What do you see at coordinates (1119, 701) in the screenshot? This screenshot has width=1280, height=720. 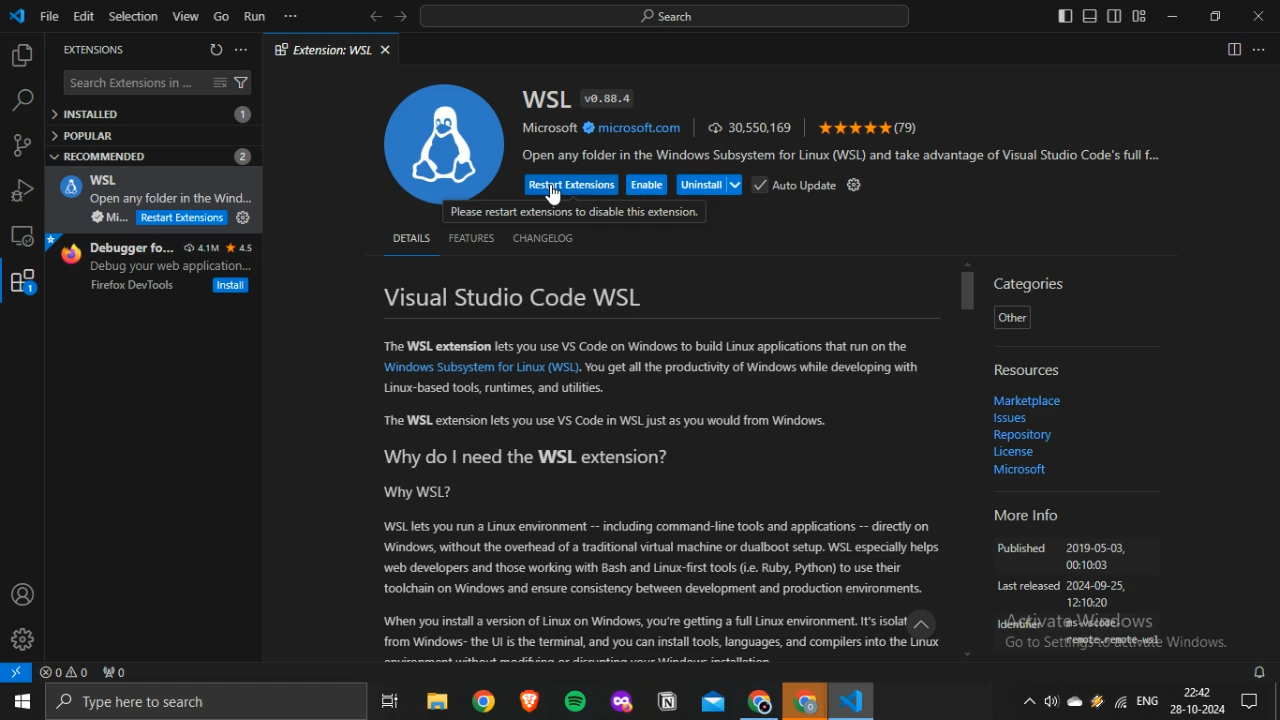 I see `Wifi` at bounding box center [1119, 701].